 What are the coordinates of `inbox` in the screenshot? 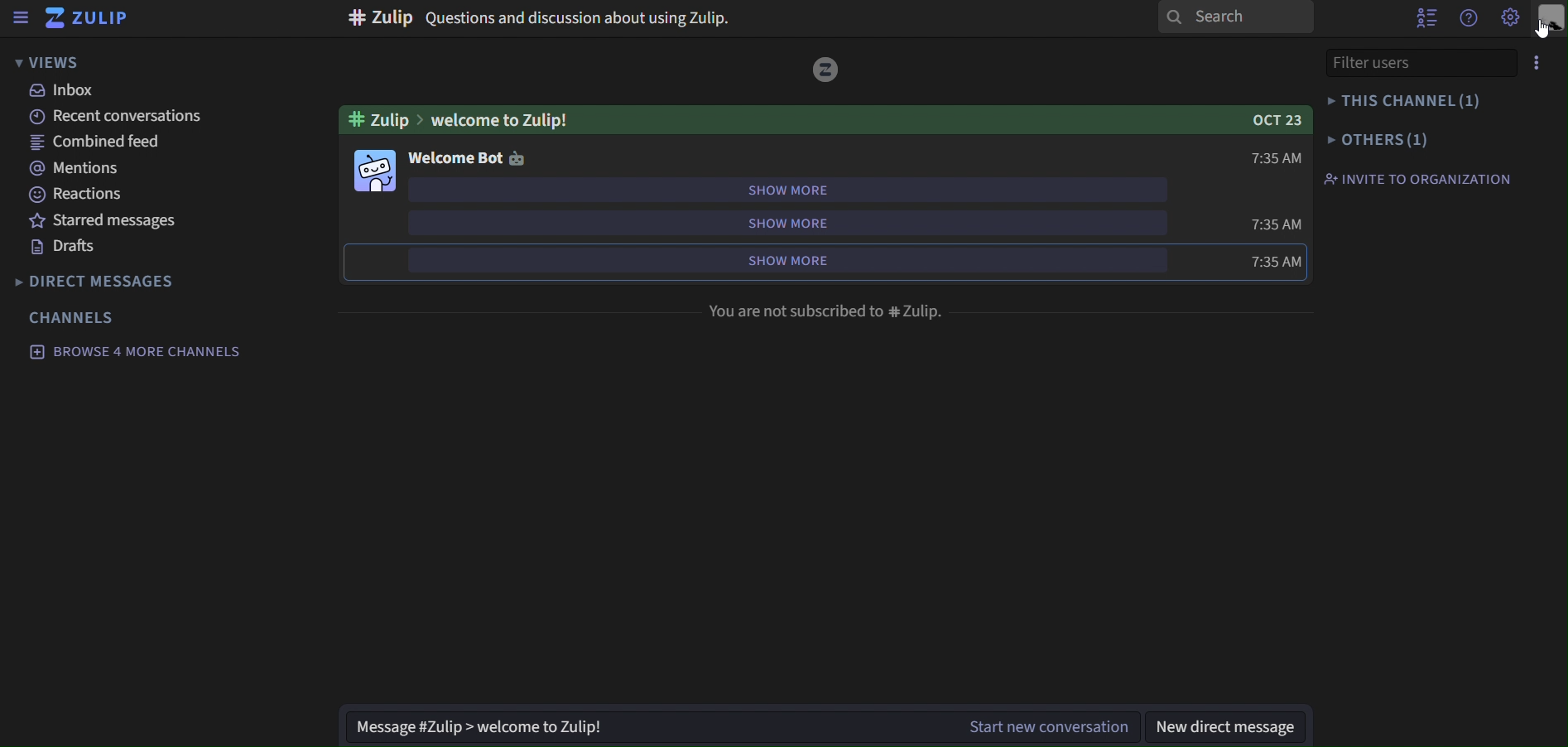 It's located at (69, 91).